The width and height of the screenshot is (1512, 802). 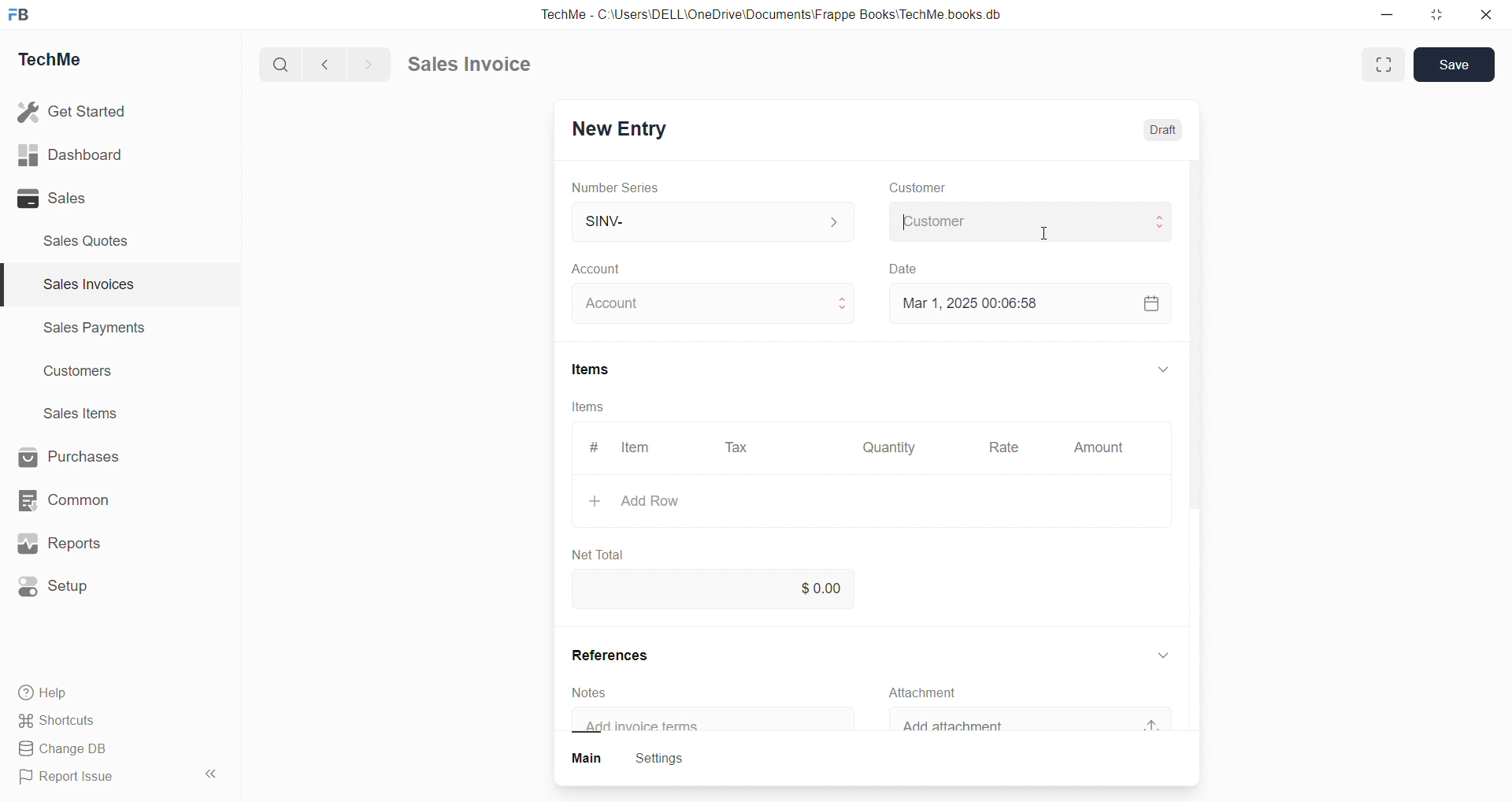 I want to click on Cursor, so click(x=1051, y=235).